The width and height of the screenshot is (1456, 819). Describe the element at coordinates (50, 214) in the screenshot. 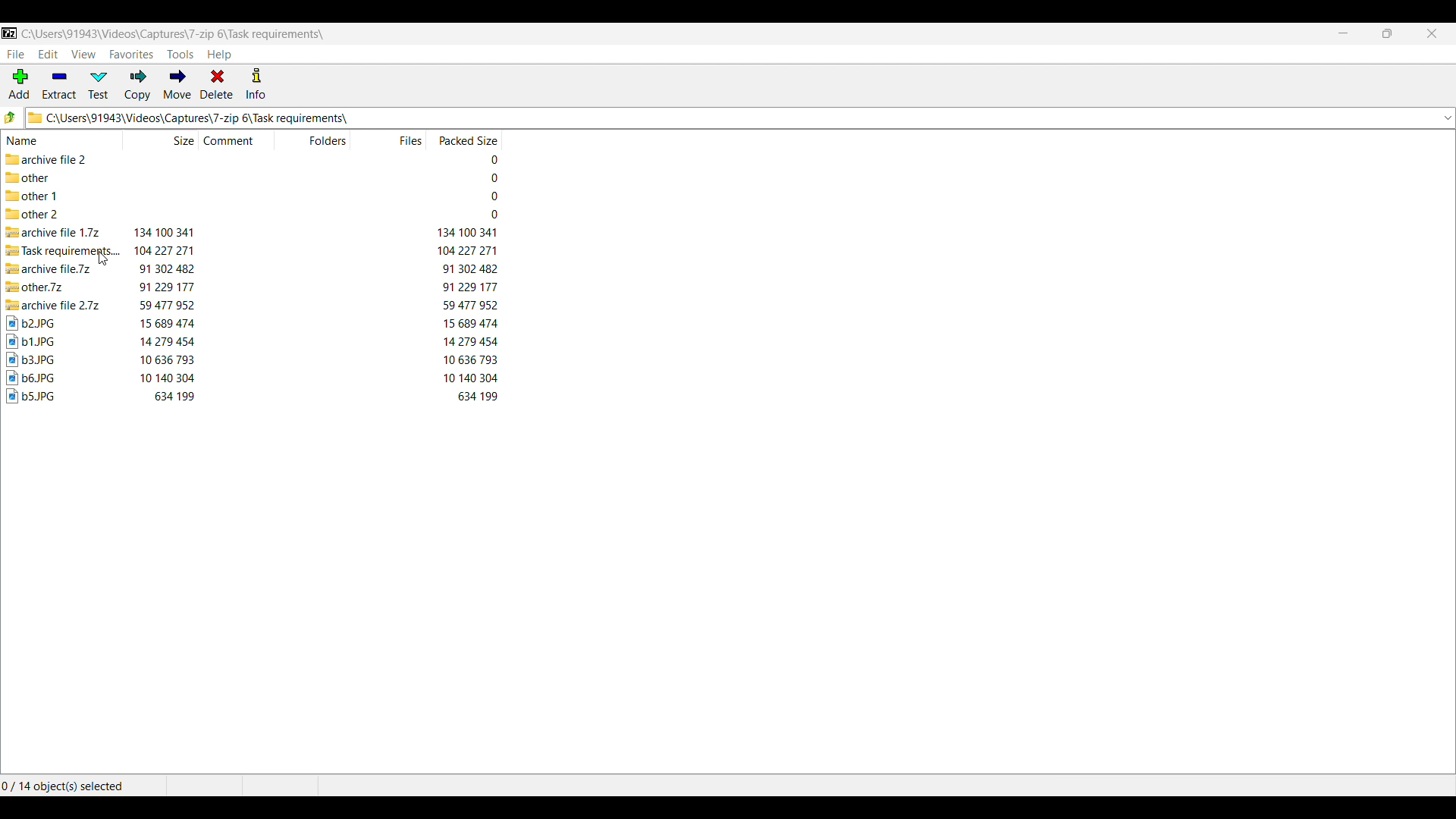

I see `folder` at that location.